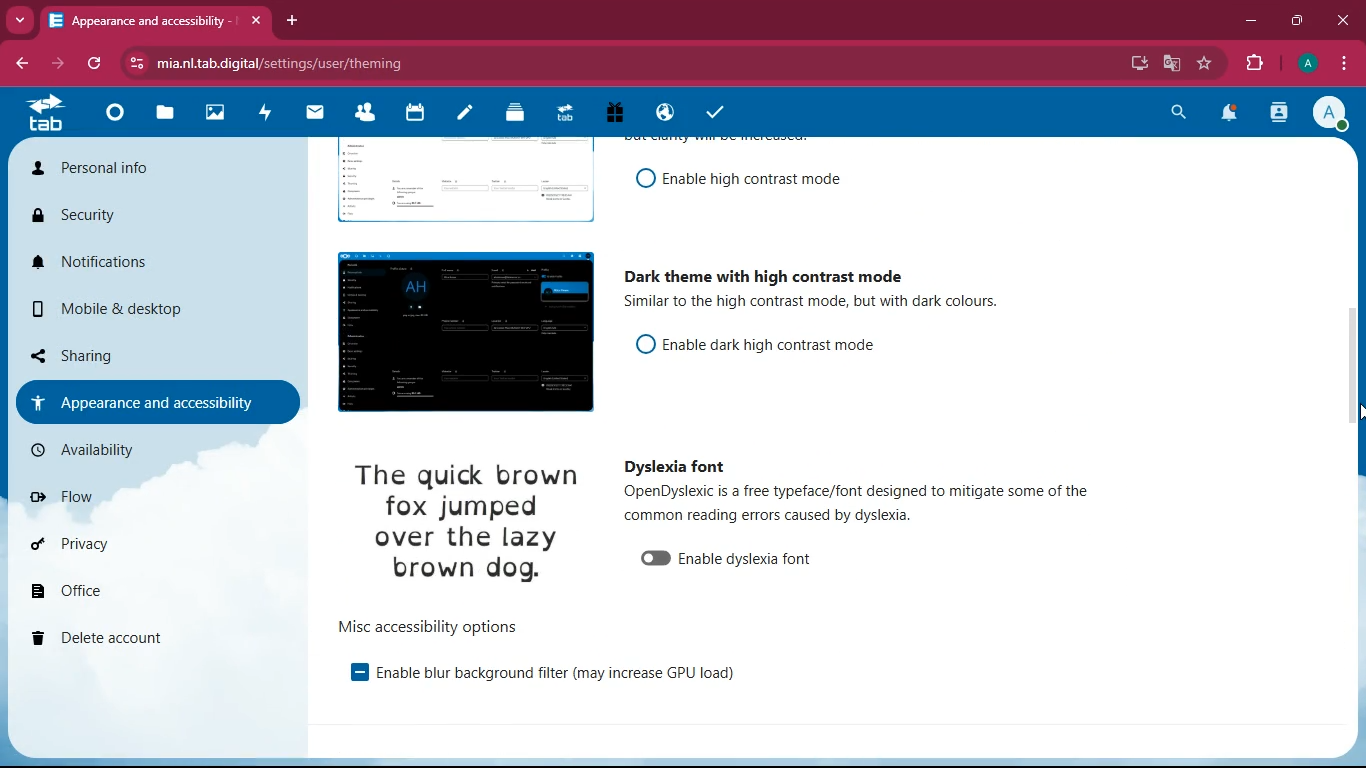 The height and width of the screenshot is (768, 1366). What do you see at coordinates (137, 170) in the screenshot?
I see `personal info` at bounding box center [137, 170].